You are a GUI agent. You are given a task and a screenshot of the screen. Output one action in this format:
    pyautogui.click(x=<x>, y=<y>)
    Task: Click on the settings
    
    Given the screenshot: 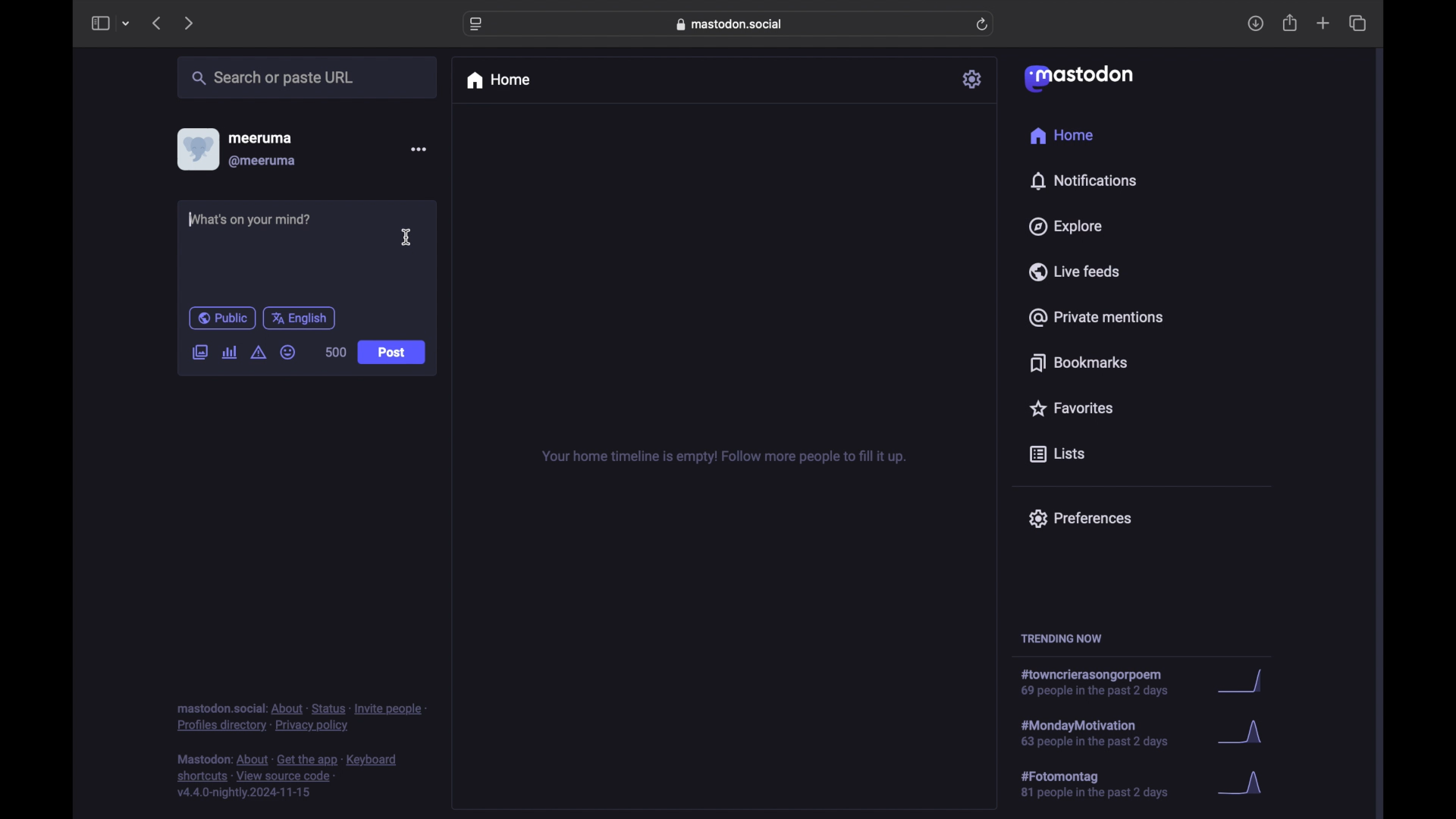 What is the action you would take?
    pyautogui.click(x=974, y=79)
    